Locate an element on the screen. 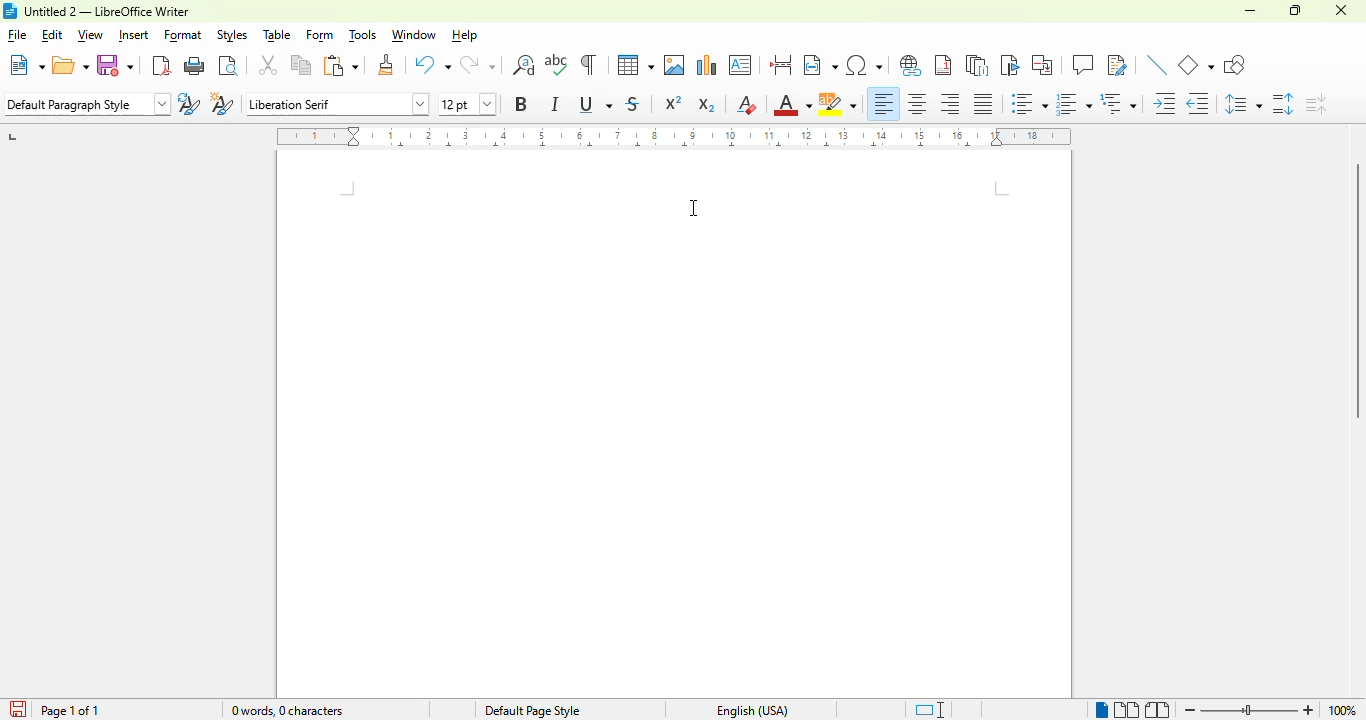 The height and width of the screenshot is (720, 1366). export directly as PDF is located at coordinates (162, 66).